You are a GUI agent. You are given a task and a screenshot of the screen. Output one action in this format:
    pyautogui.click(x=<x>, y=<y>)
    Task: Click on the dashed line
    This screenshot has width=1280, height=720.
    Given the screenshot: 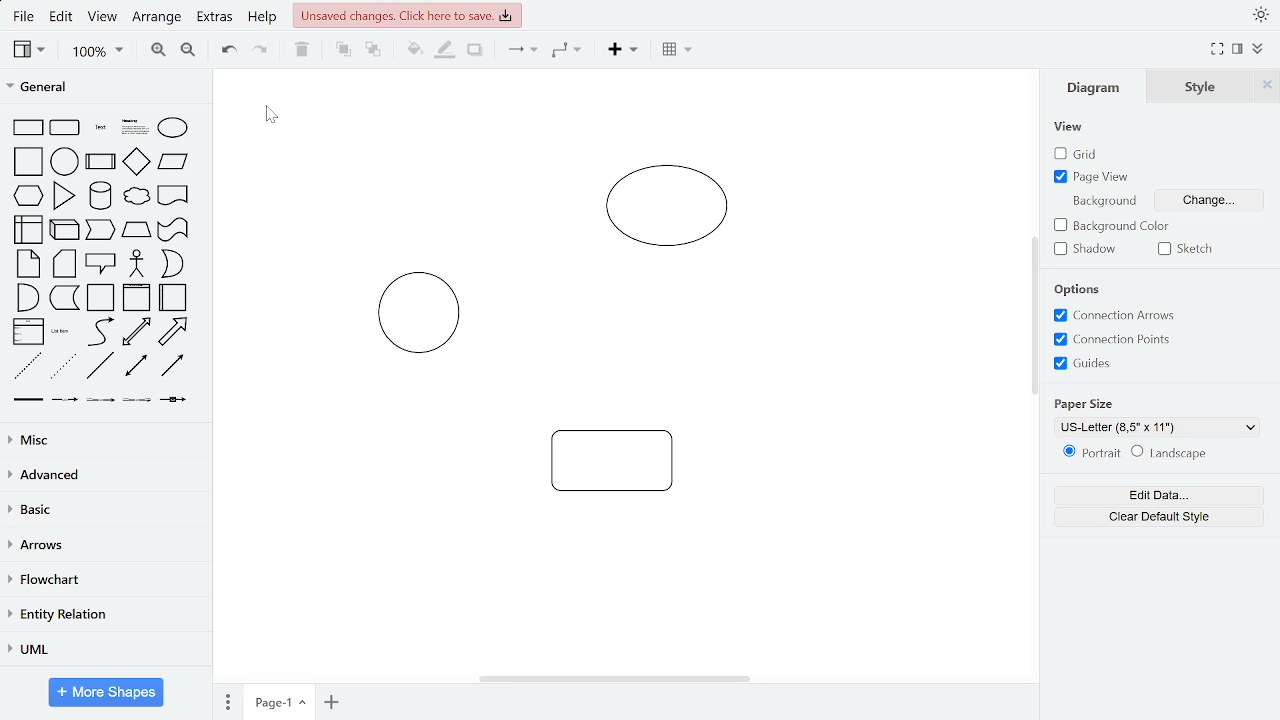 What is the action you would take?
    pyautogui.click(x=27, y=366)
    